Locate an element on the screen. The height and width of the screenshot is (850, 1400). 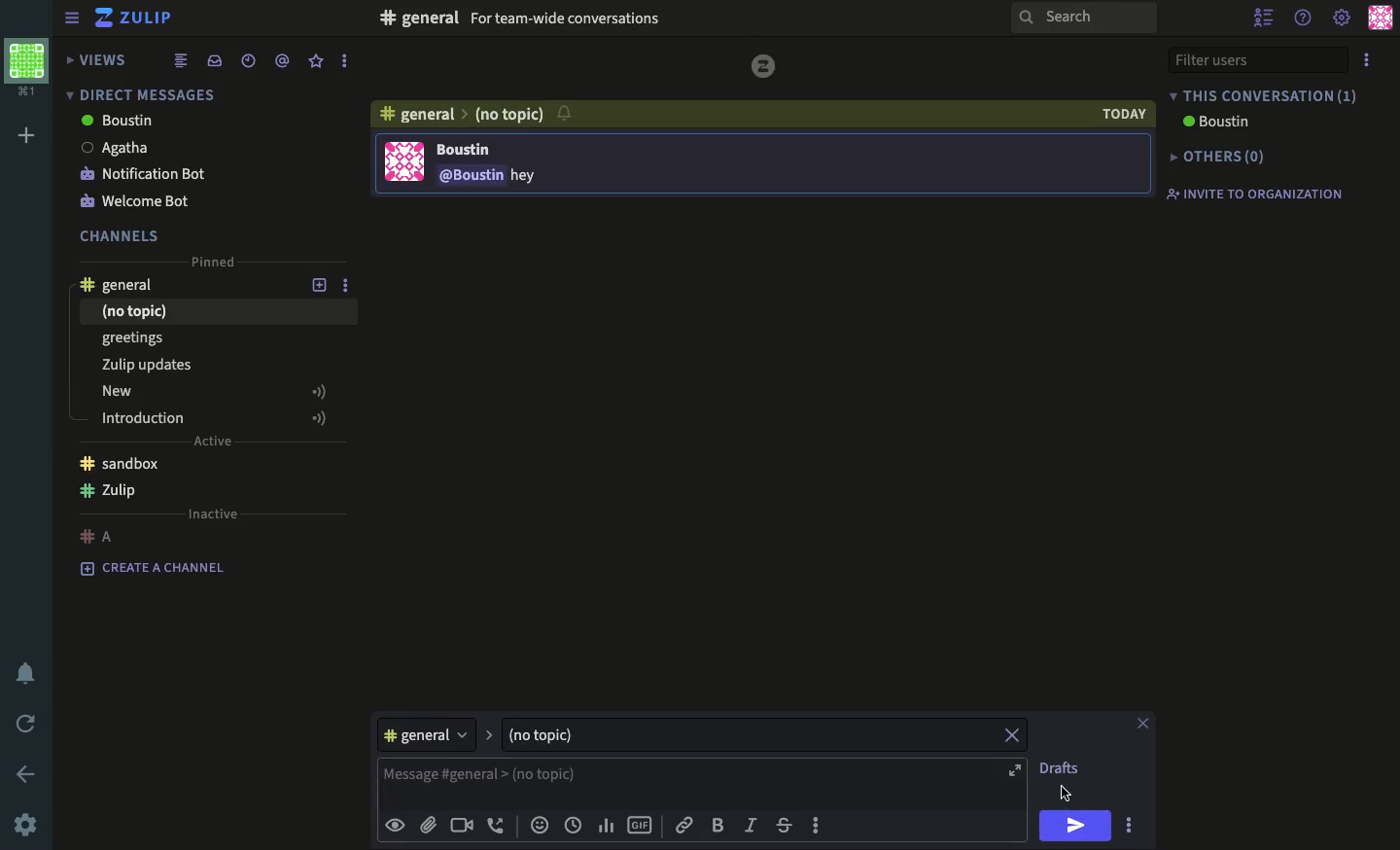
Agatha  is located at coordinates (115, 147).